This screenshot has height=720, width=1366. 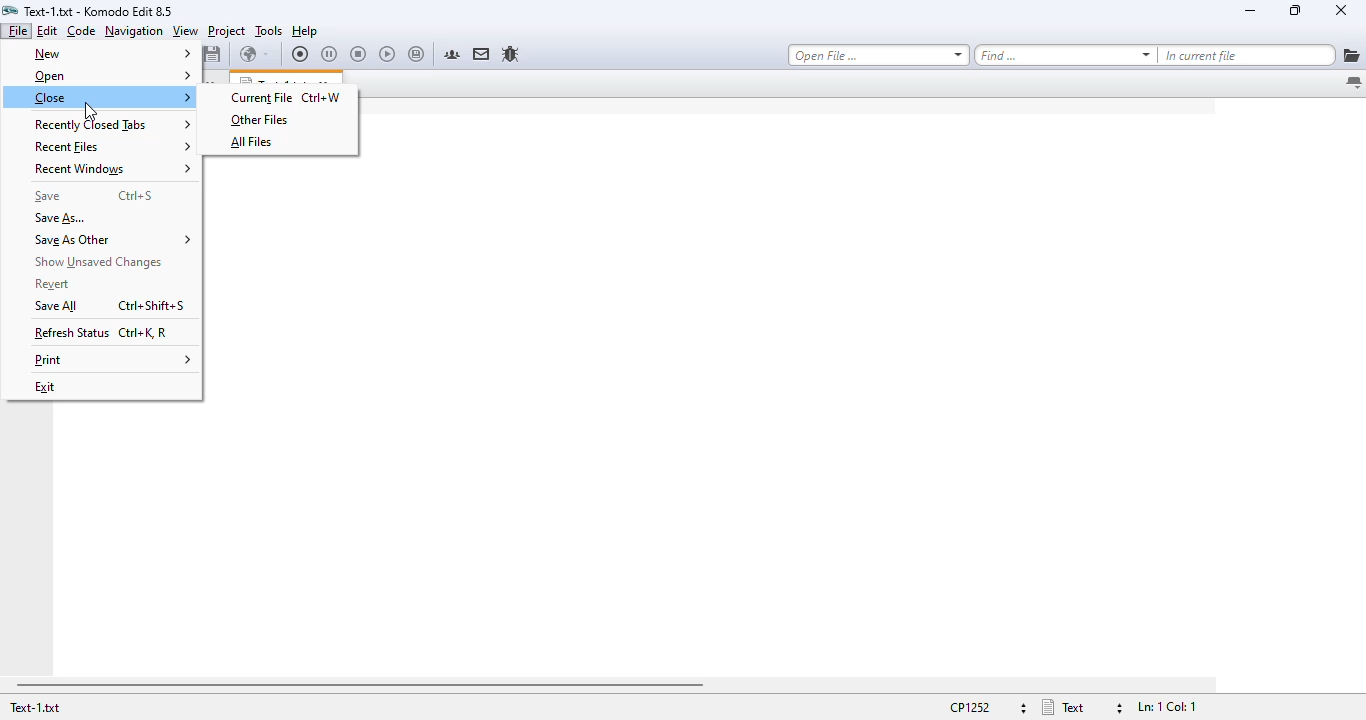 What do you see at coordinates (1351, 55) in the screenshot?
I see `browse for directories to add to search list` at bounding box center [1351, 55].